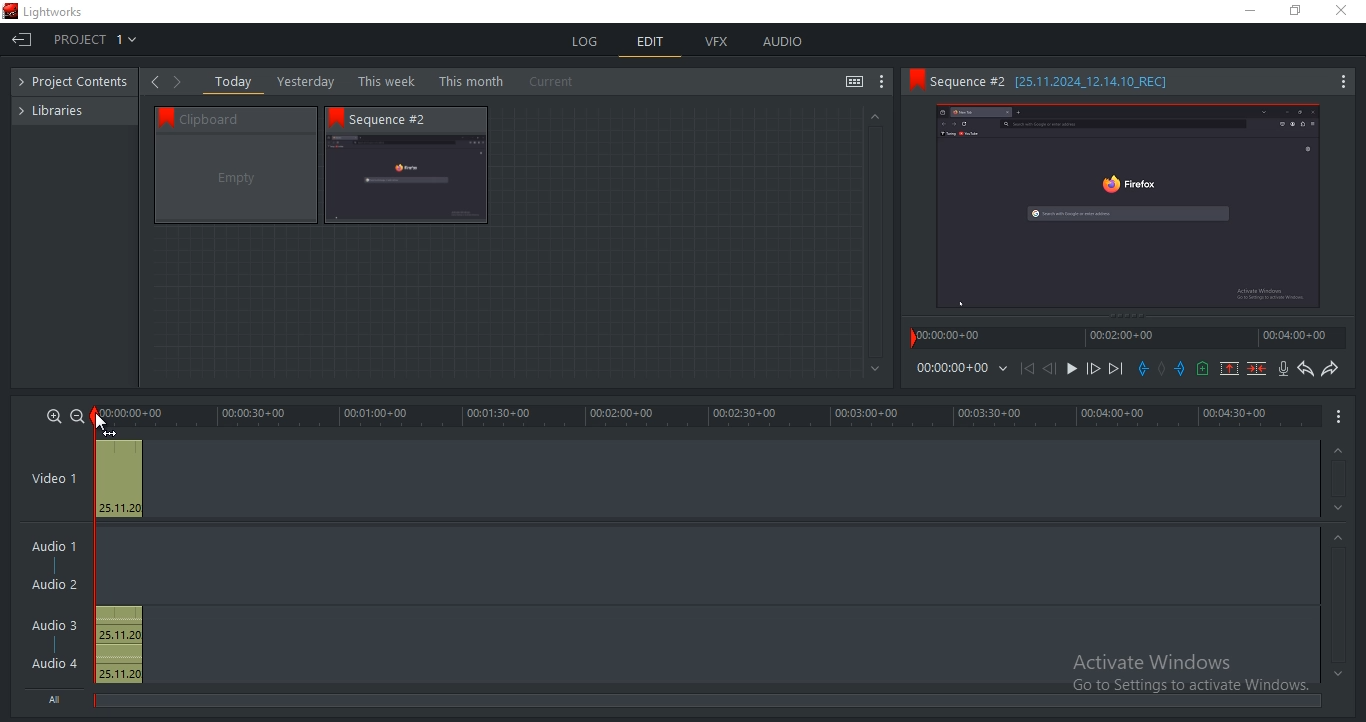 The image size is (1366, 722). I want to click on Sequence #2, so click(399, 119).